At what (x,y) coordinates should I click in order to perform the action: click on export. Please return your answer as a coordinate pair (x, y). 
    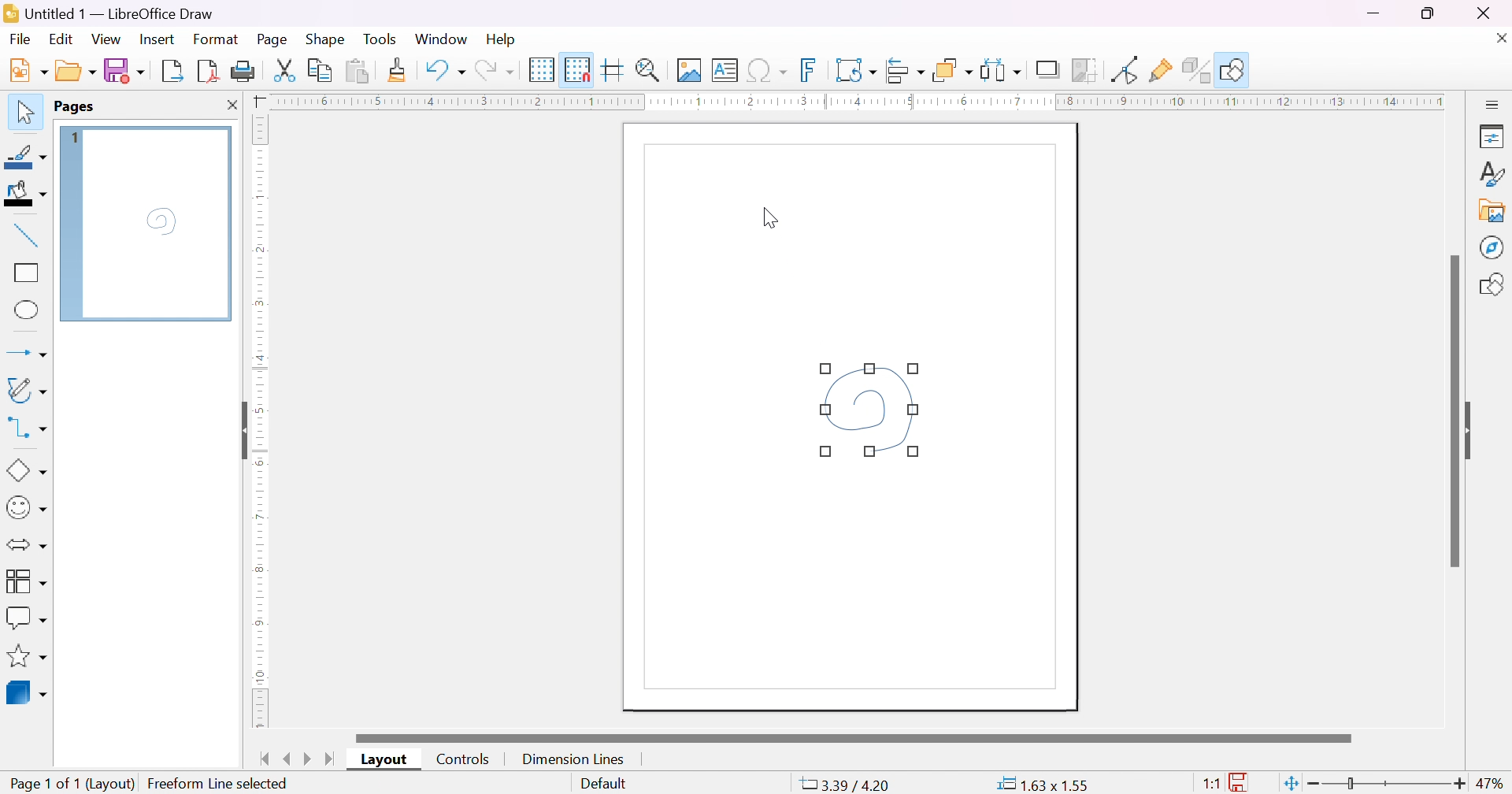
    Looking at the image, I should click on (175, 71).